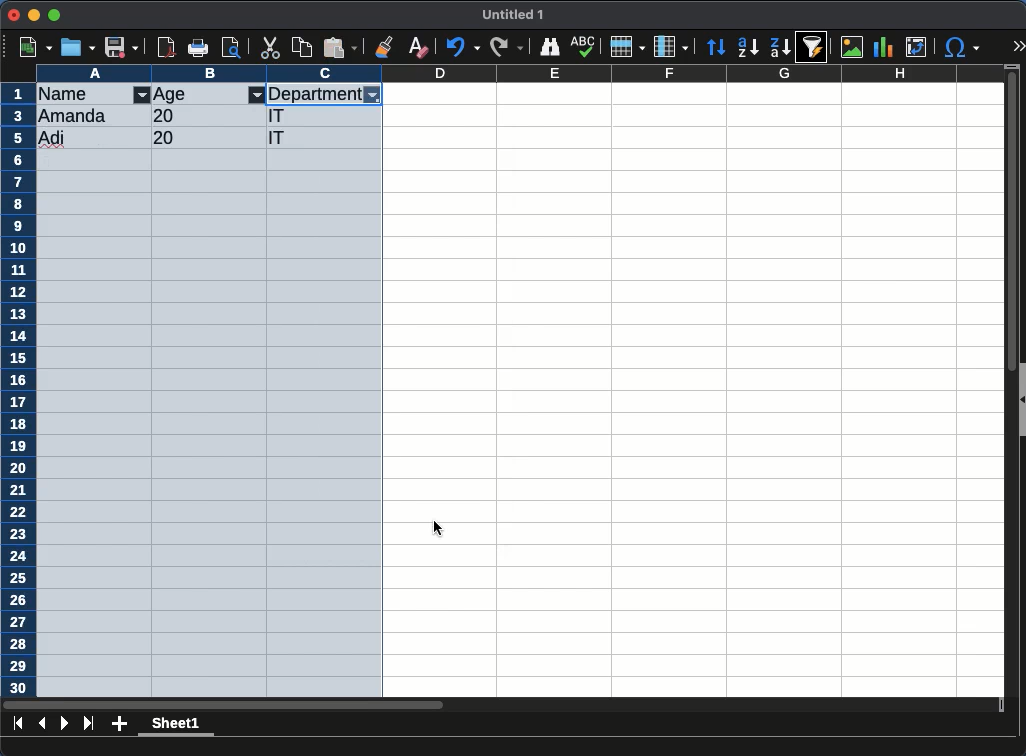 The width and height of the screenshot is (1026, 756). I want to click on IT data, so click(209, 127).